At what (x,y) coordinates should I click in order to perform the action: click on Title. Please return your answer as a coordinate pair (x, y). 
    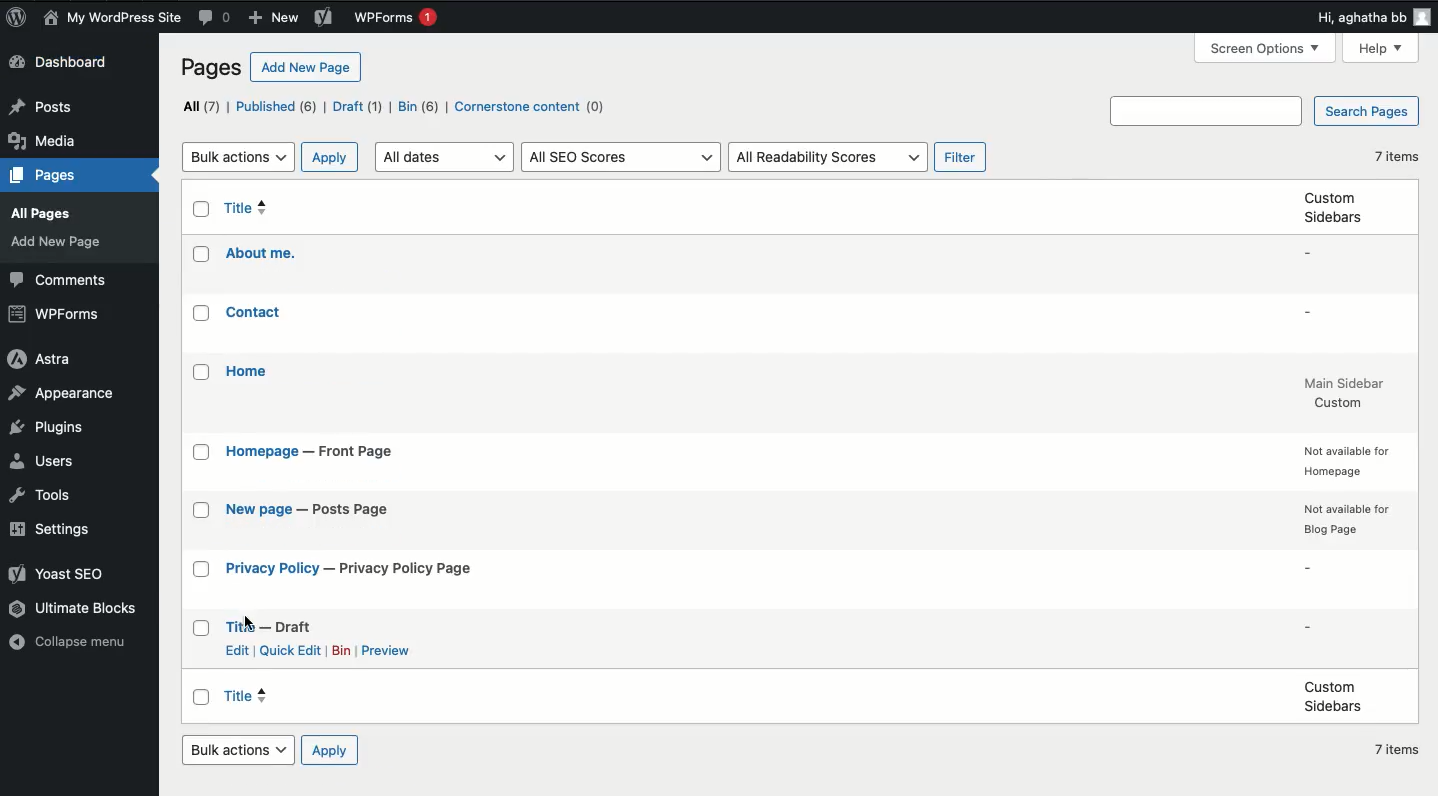
    Looking at the image, I should click on (247, 209).